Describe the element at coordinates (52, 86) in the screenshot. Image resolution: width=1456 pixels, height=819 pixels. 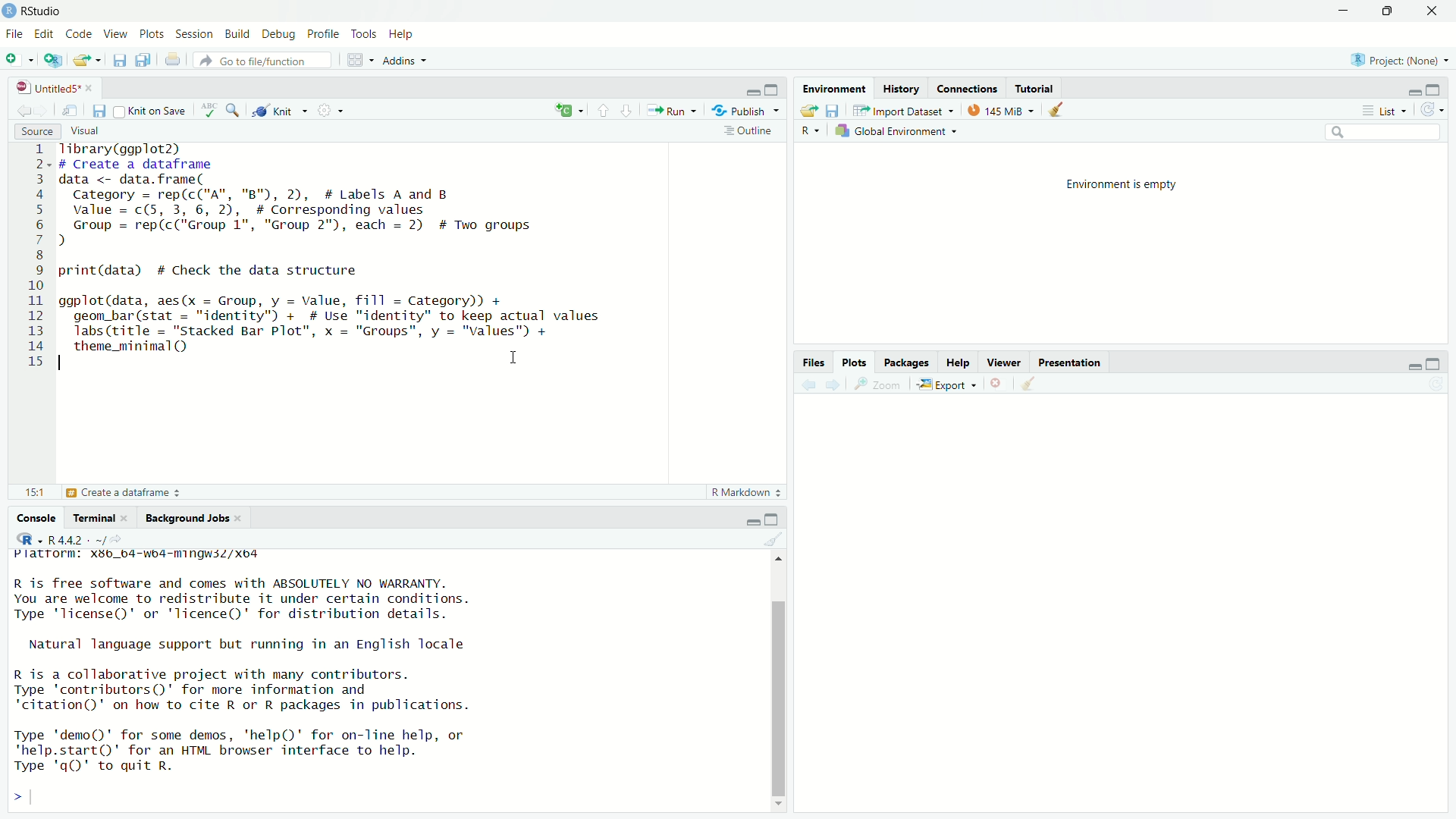
I see `Untitled5*` at that location.